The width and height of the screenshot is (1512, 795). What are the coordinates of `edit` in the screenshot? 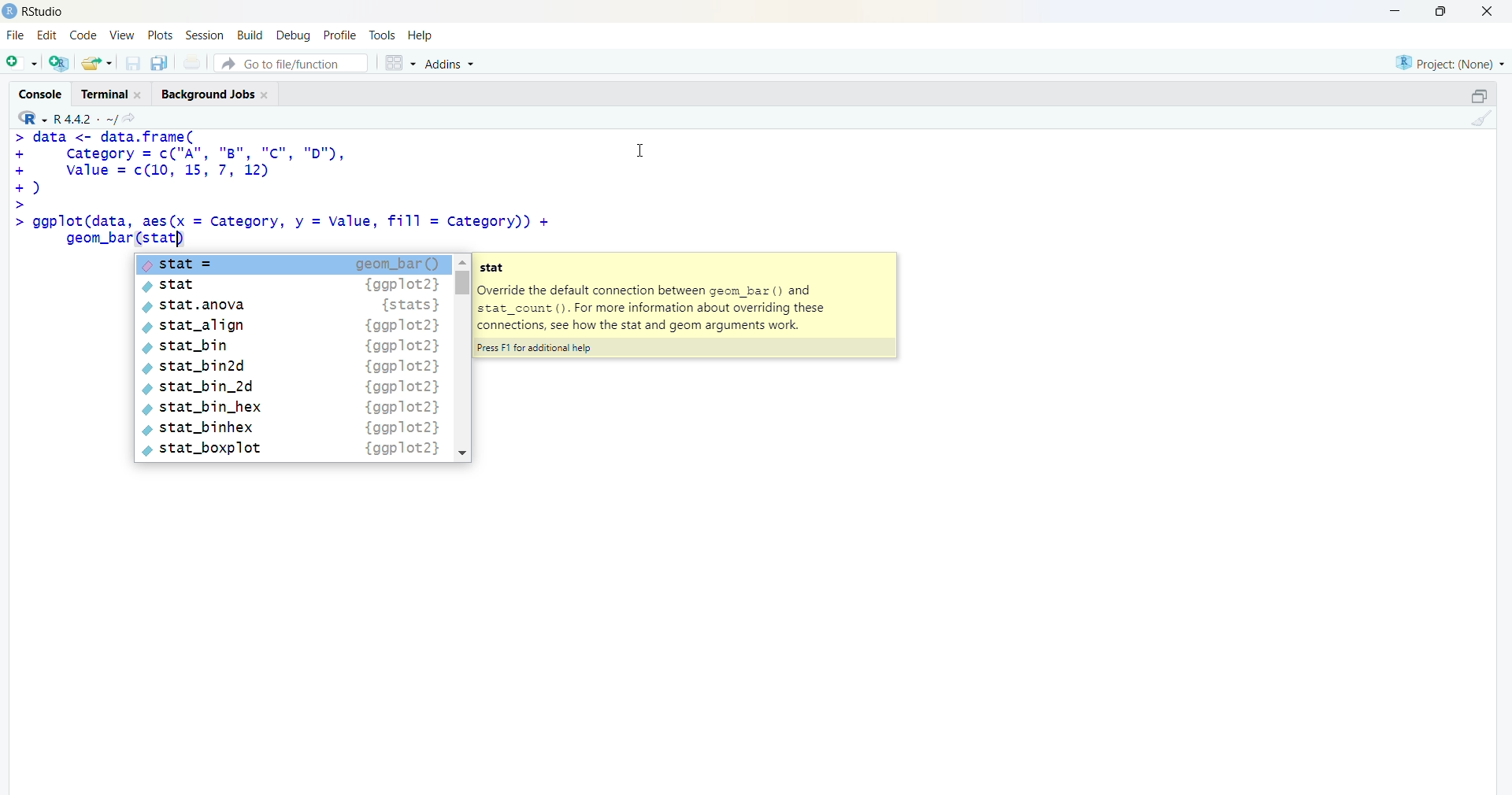 It's located at (47, 35).